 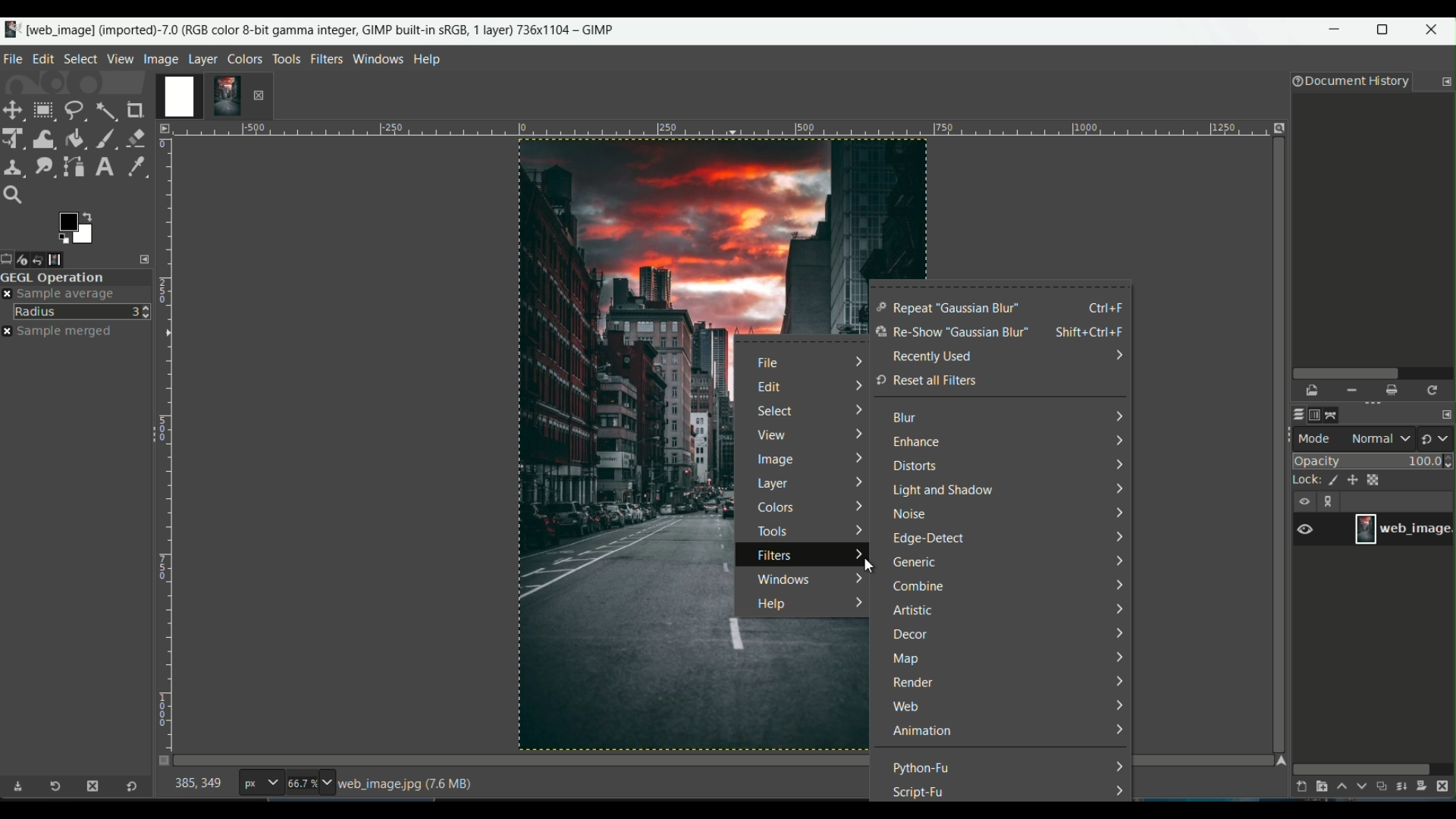 I want to click on description, so click(x=409, y=784).